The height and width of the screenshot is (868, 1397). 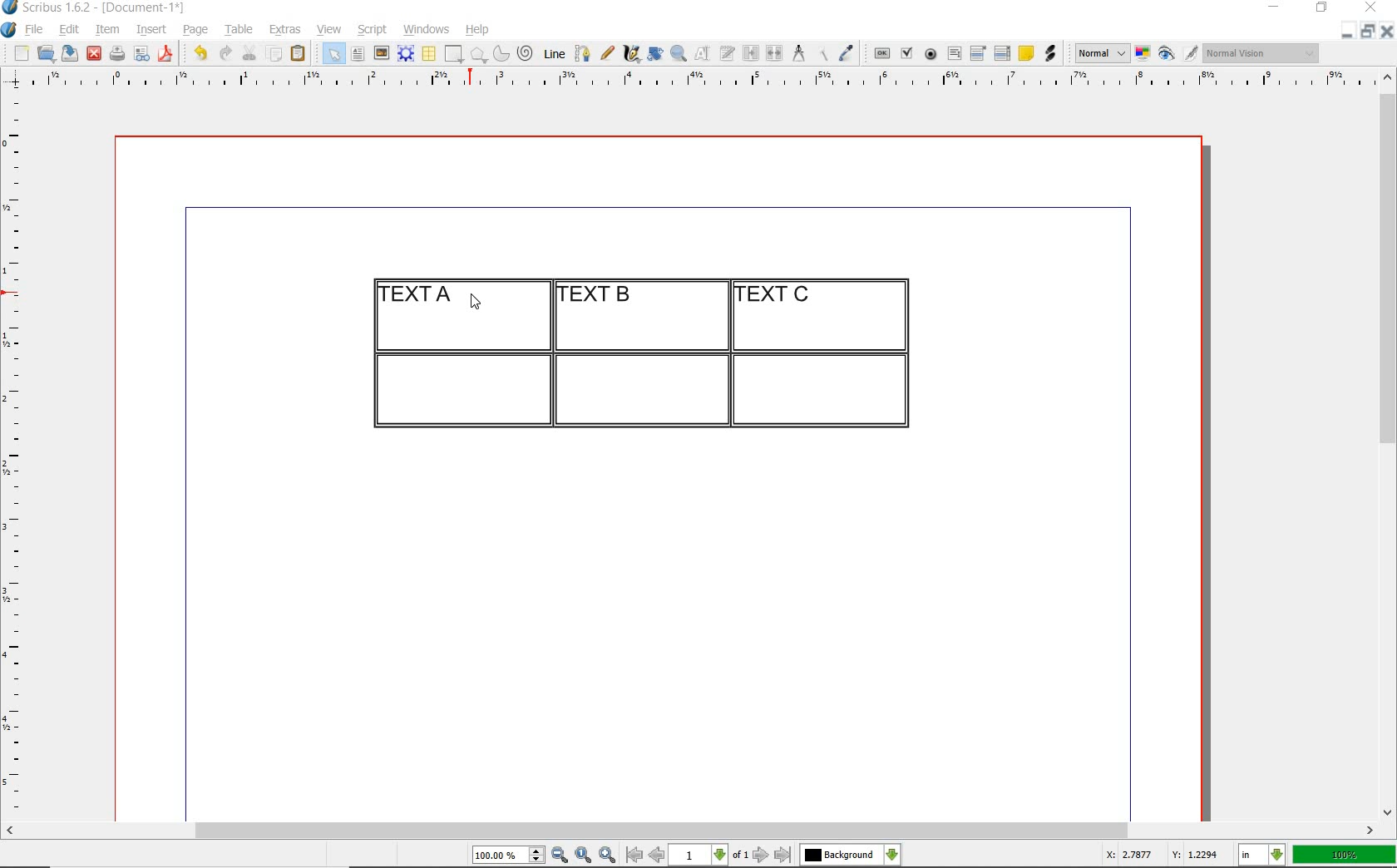 I want to click on scrollbar, so click(x=1389, y=443).